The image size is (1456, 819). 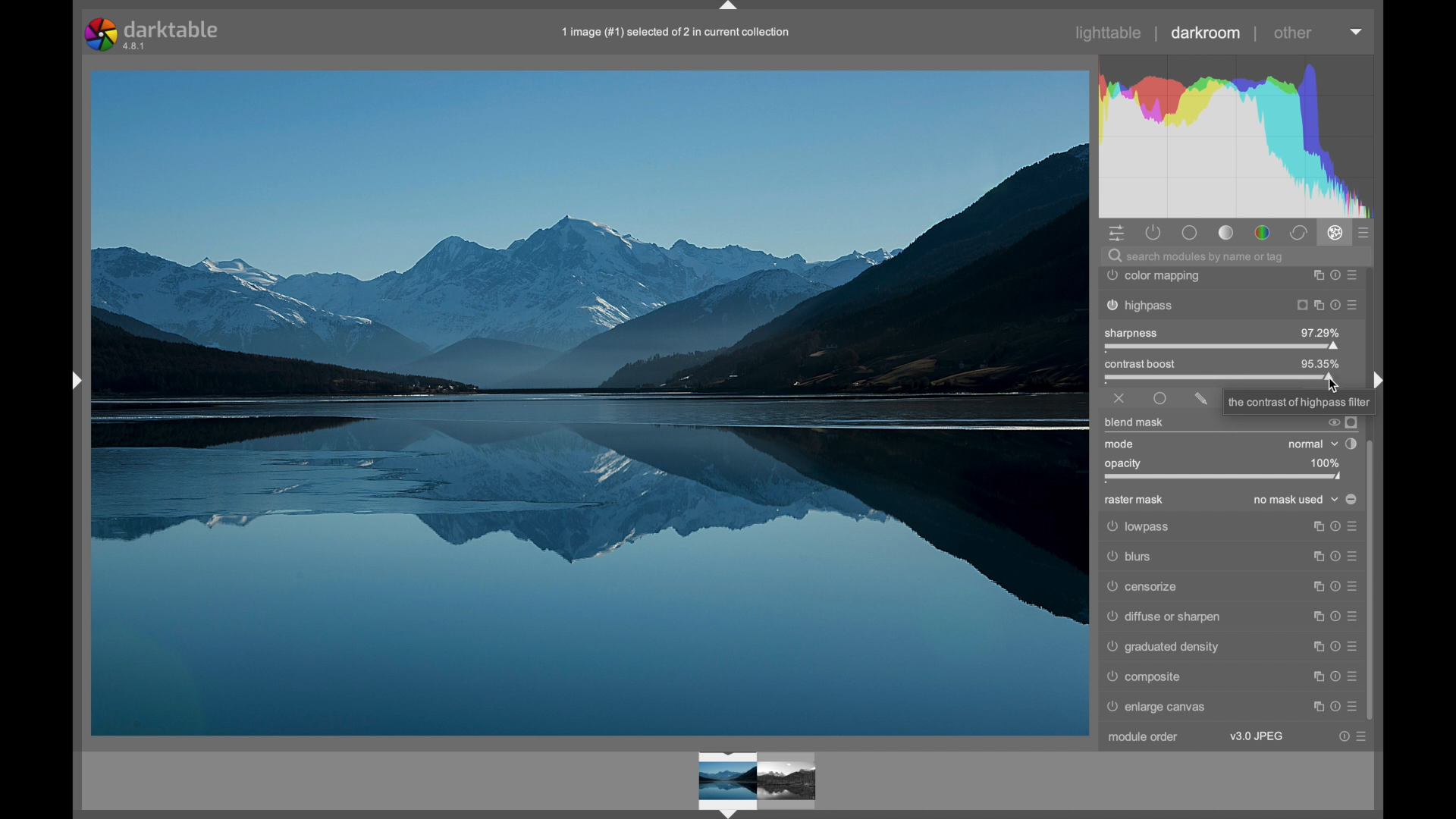 What do you see at coordinates (1191, 234) in the screenshot?
I see `base` at bounding box center [1191, 234].